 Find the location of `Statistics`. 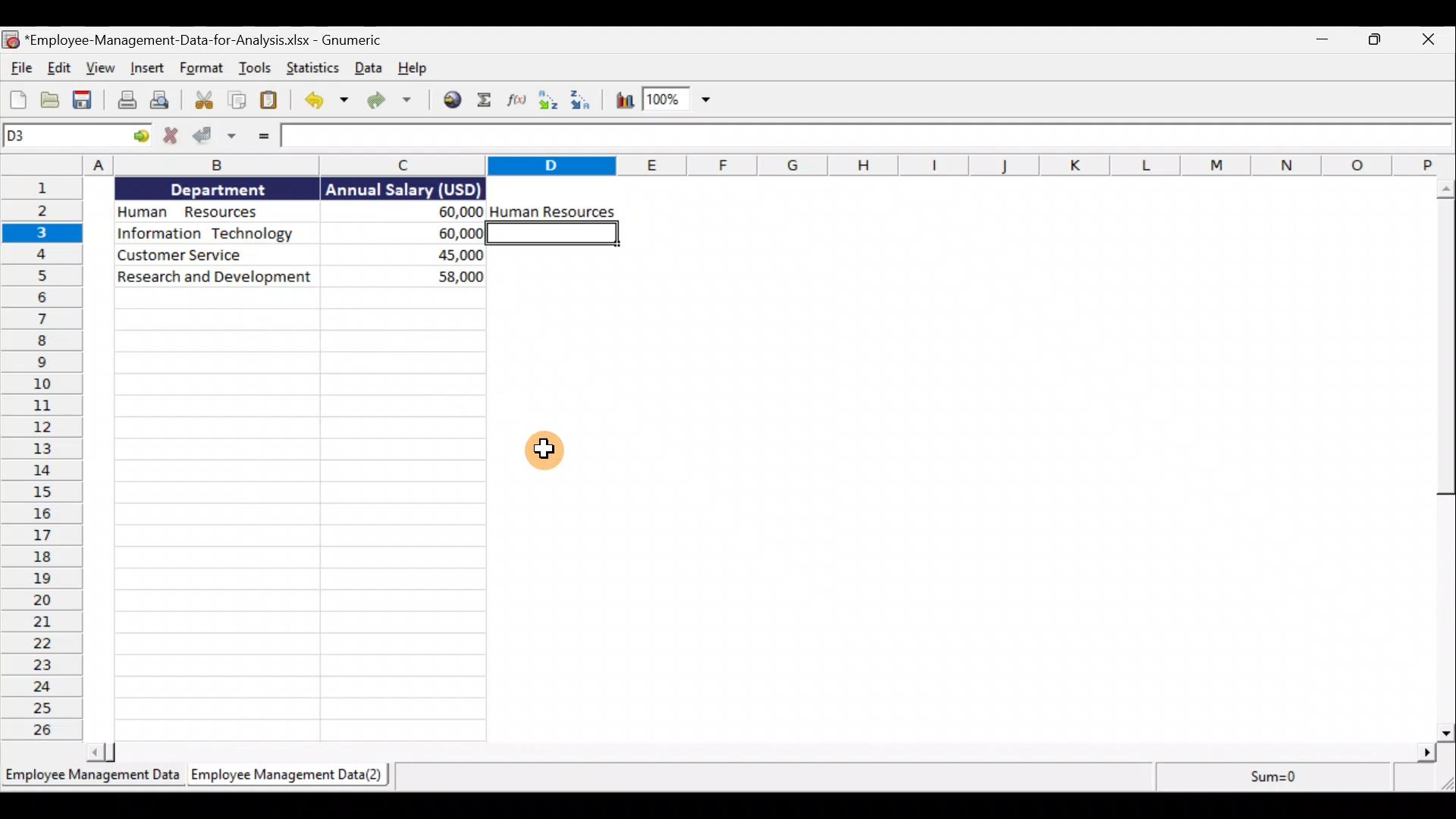

Statistics is located at coordinates (313, 68).